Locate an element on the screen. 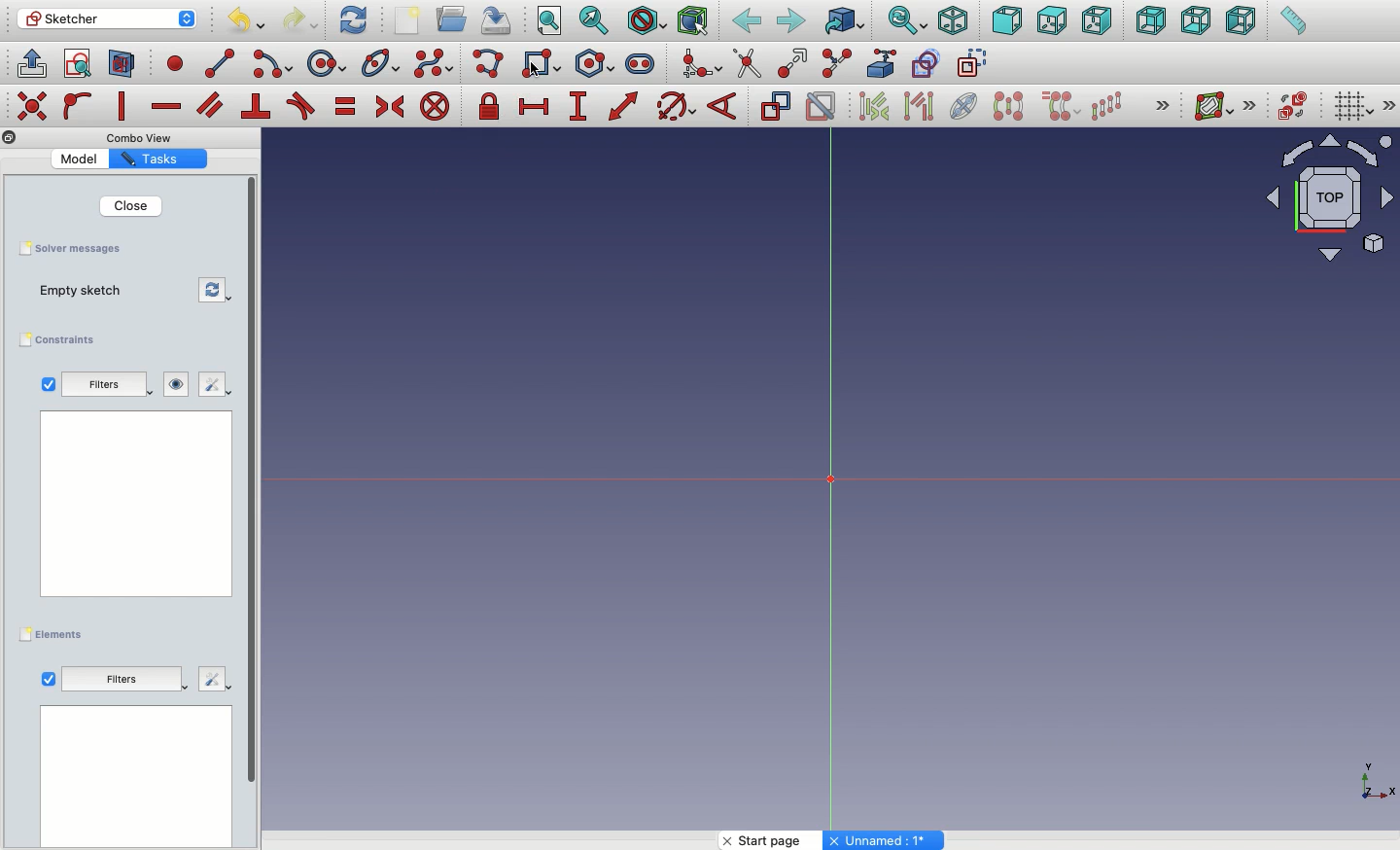 The image size is (1400, 850). Conic is located at coordinates (382, 64).